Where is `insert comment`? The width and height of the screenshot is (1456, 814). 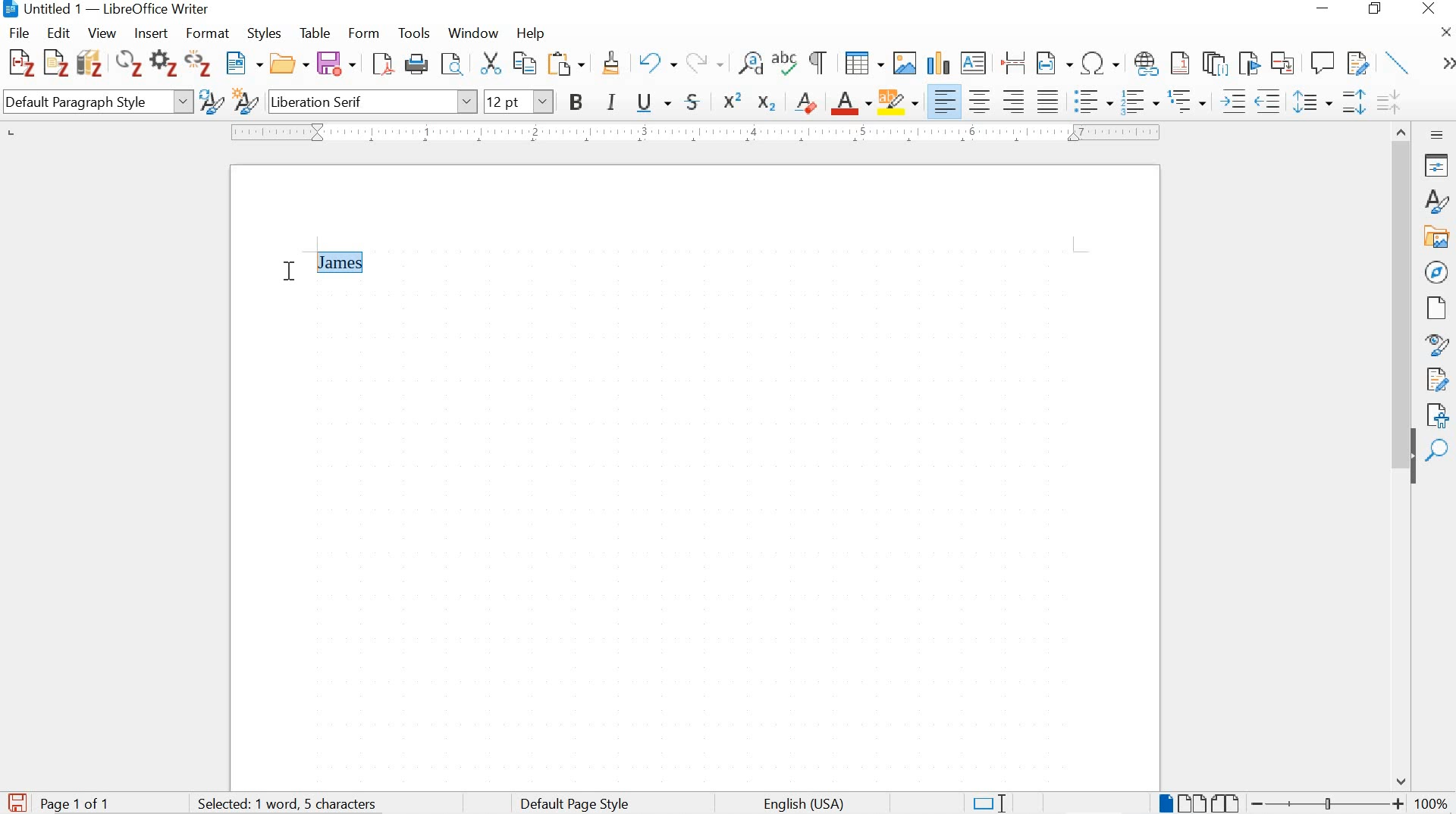
insert comment is located at coordinates (1323, 63).